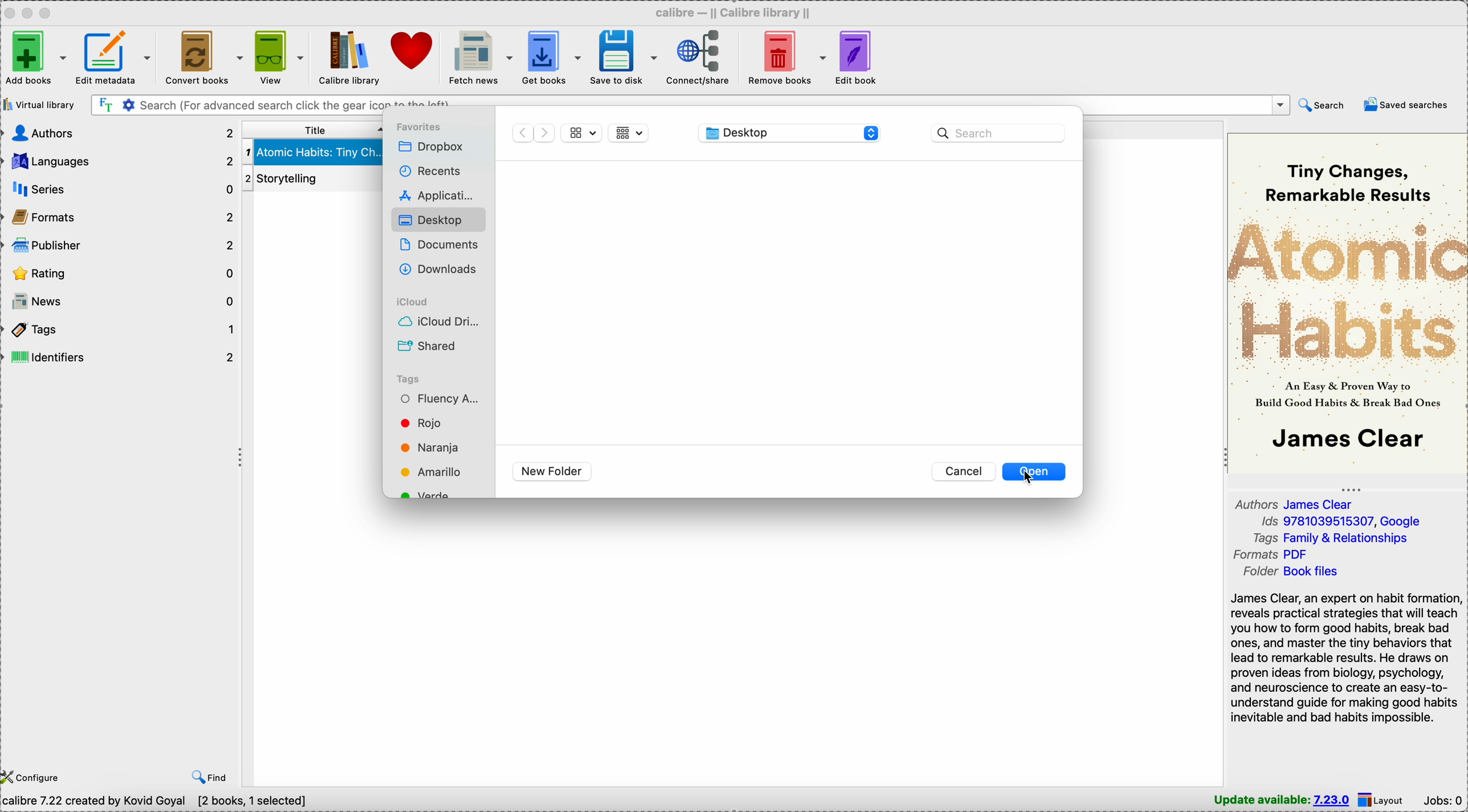 The height and width of the screenshot is (812, 1468). I want to click on update available: 7.23.0, so click(1283, 801).